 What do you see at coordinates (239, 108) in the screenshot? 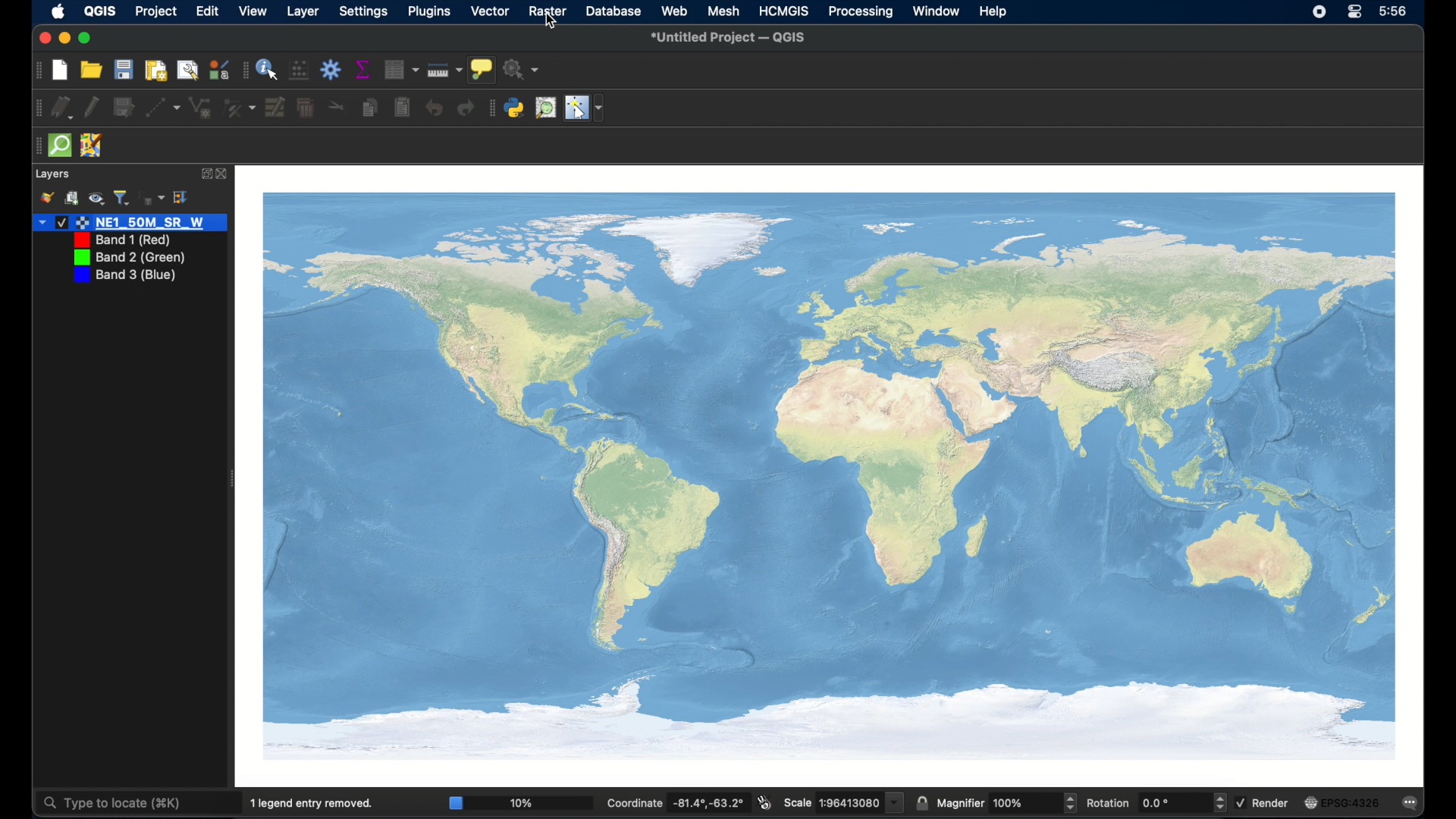
I see `vertex tool` at bounding box center [239, 108].